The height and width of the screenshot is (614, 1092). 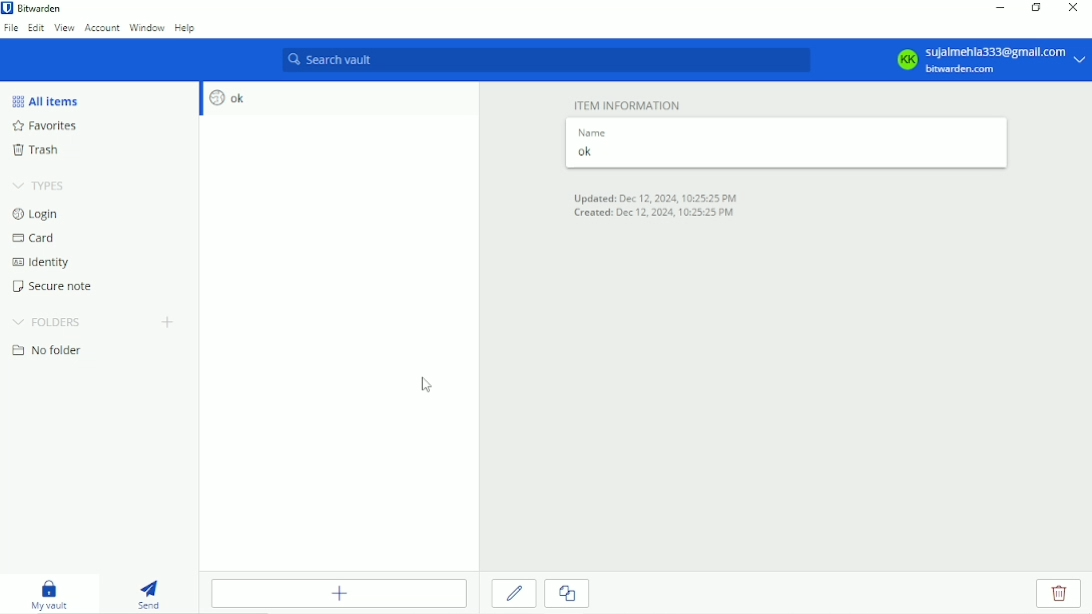 I want to click on Create folder, so click(x=169, y=324).